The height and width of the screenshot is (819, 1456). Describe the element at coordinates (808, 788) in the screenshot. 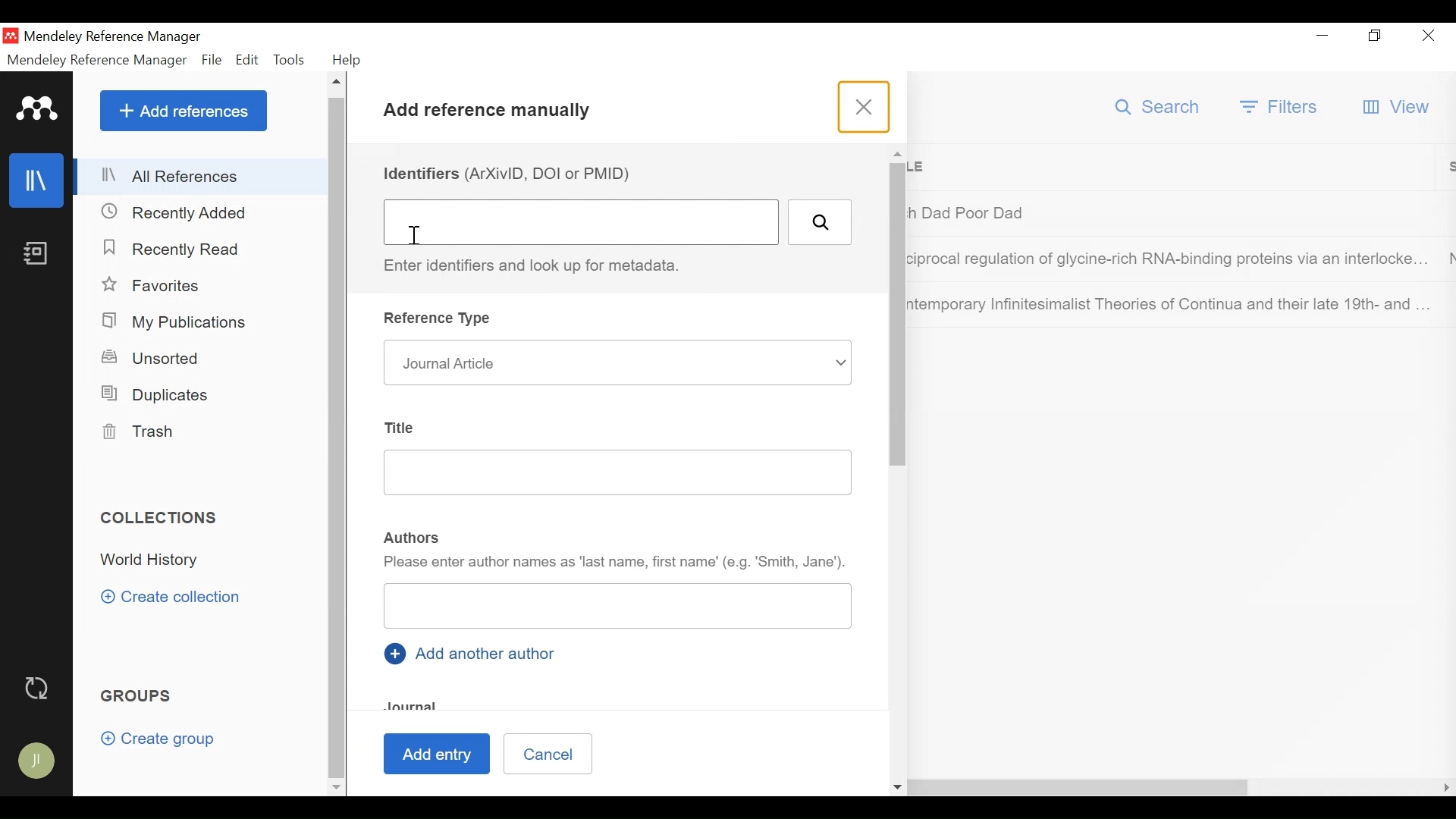

I see `Horizontal Scroll bar` at that location.